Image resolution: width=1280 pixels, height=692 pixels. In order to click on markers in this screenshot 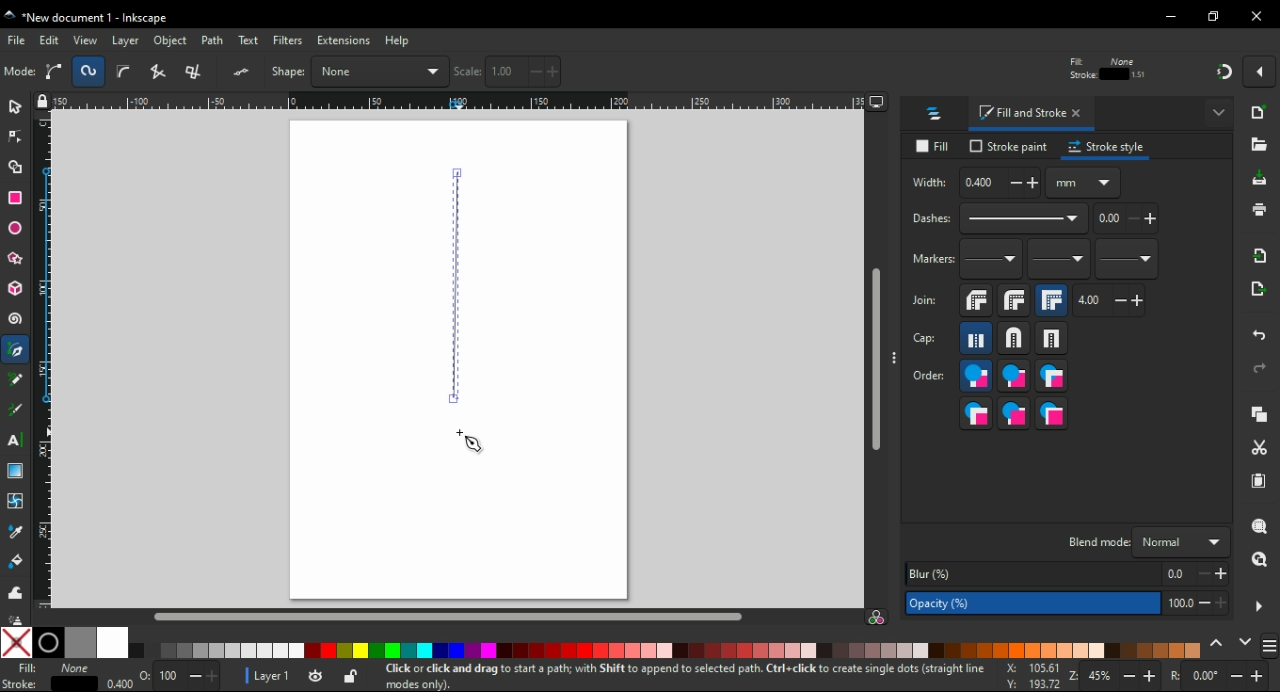, I will do `click(931, 259)`.